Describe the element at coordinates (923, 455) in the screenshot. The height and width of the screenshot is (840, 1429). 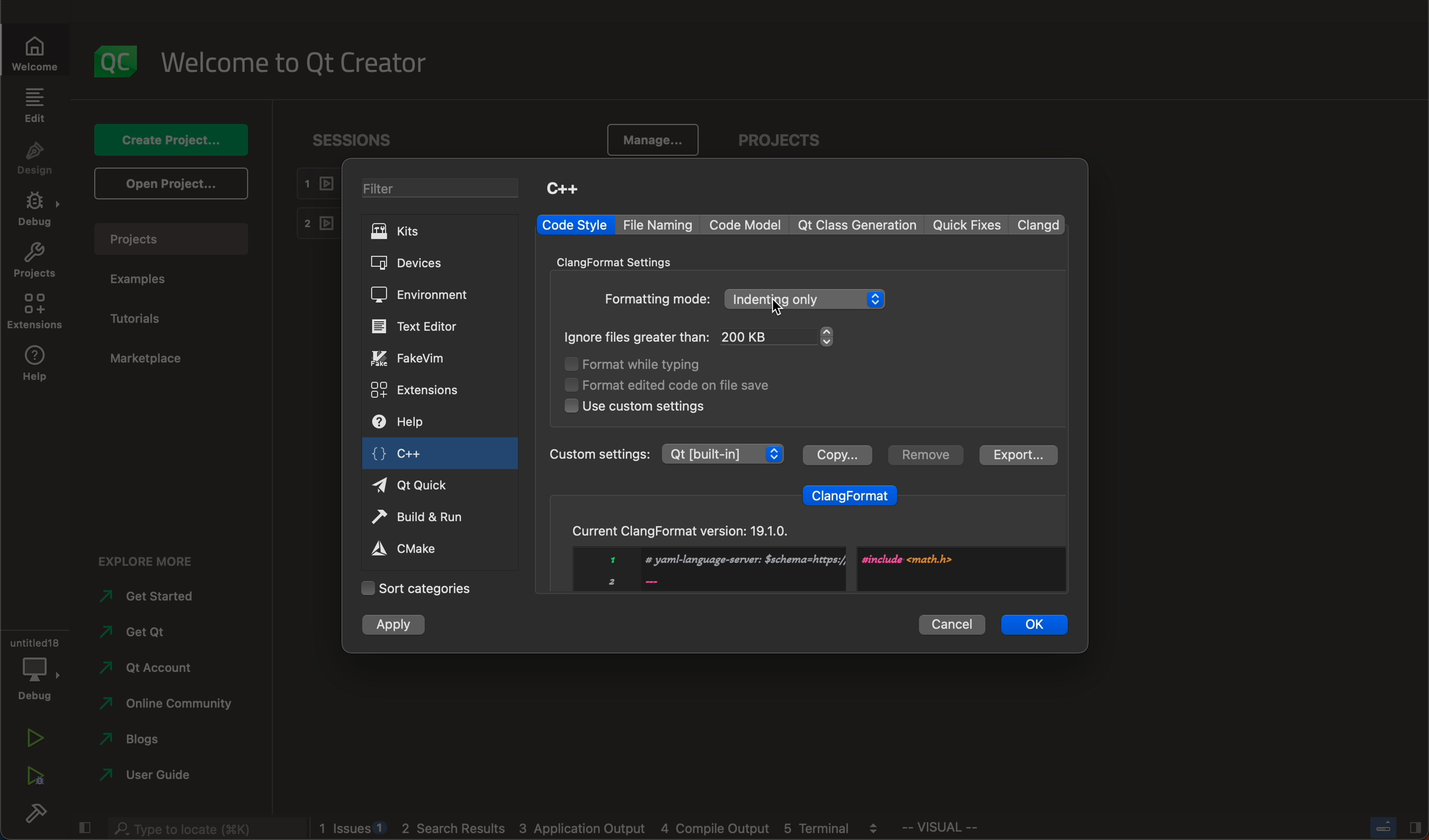
I see `remove` at that location.